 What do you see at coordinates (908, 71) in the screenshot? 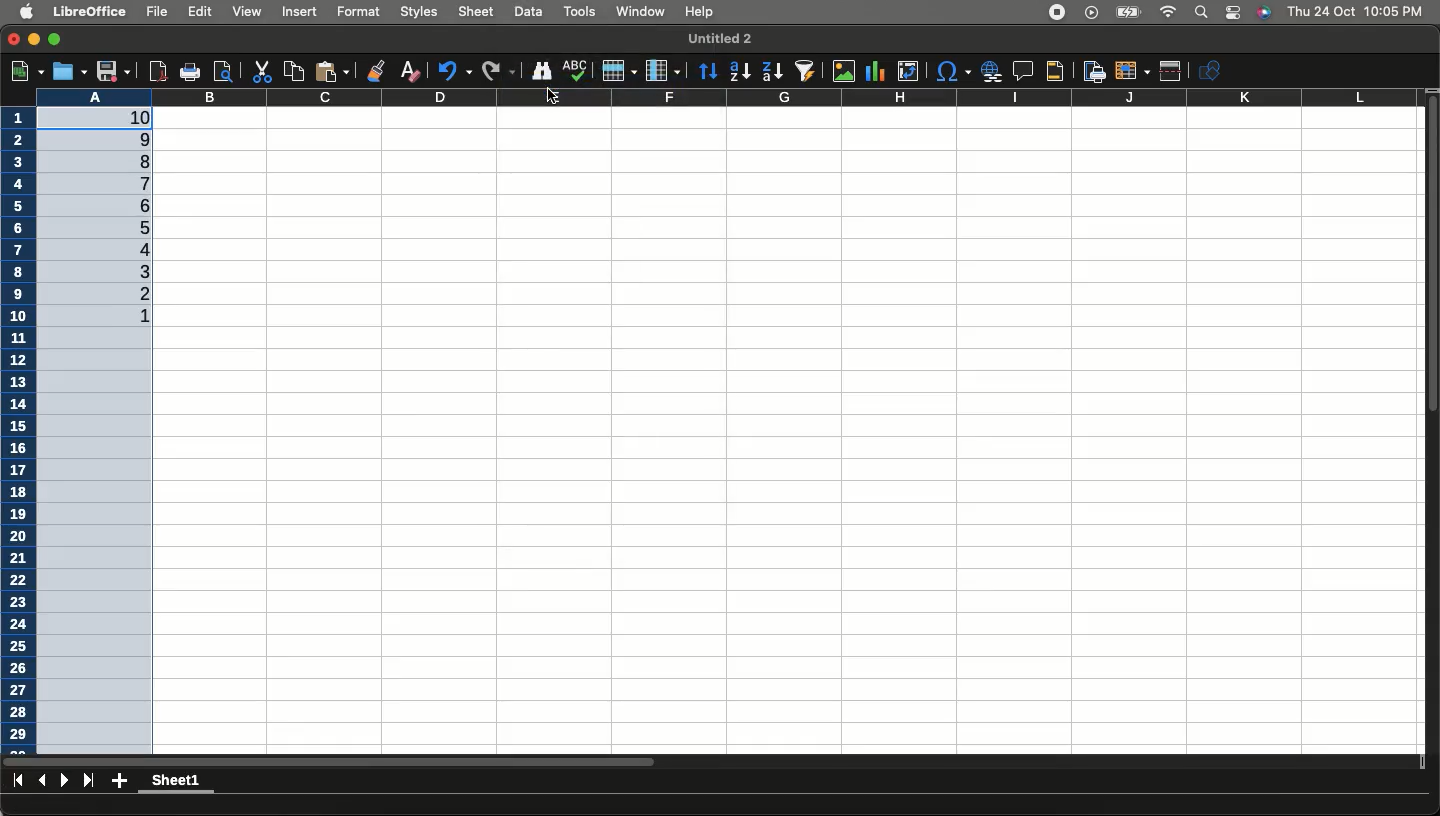
I see `Insert or edit pivot table` at bounding box center [908, 71].